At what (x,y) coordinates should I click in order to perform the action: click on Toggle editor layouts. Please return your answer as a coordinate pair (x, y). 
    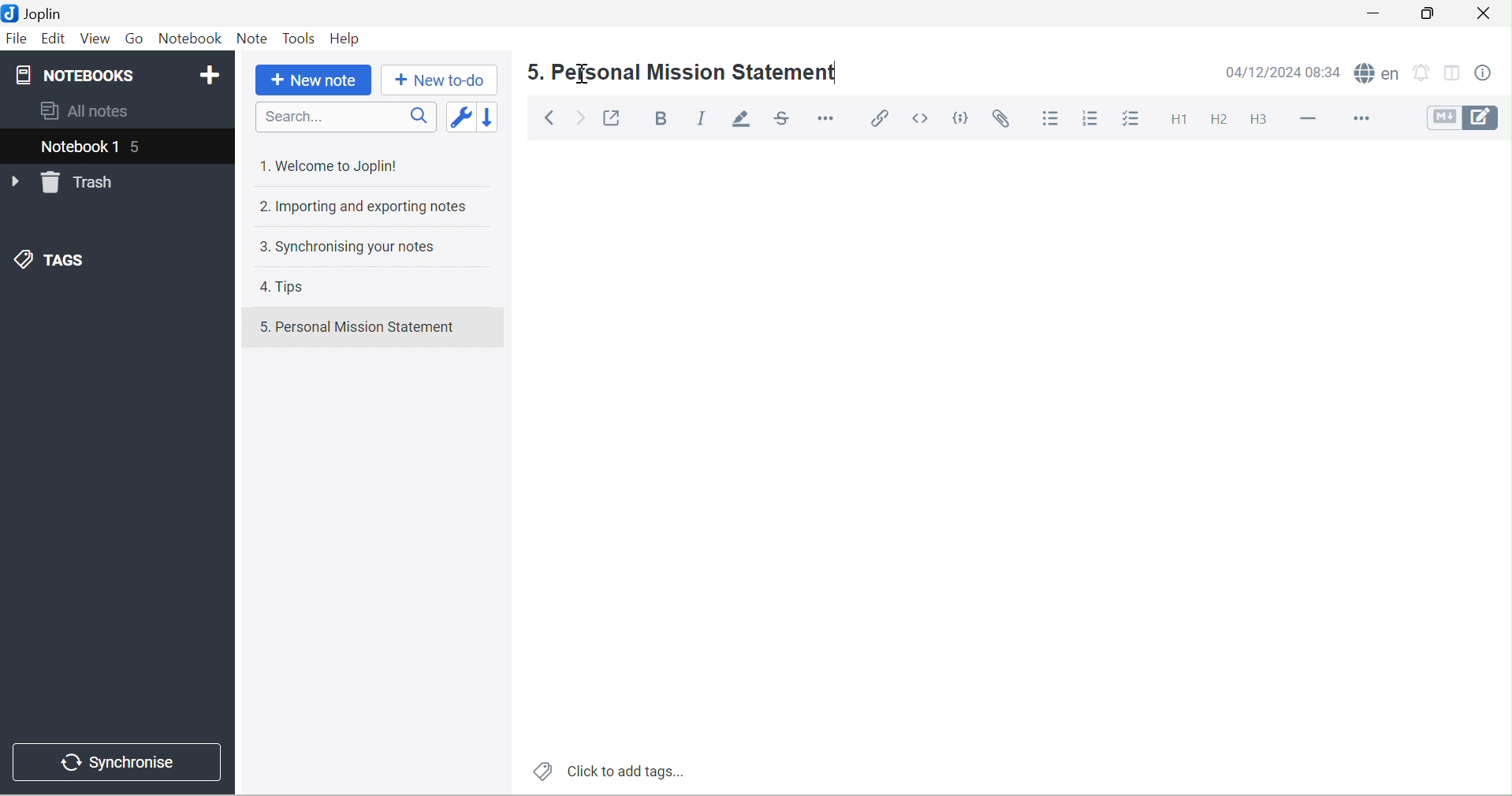
    Looking at the image, I should click on (1457, 74).